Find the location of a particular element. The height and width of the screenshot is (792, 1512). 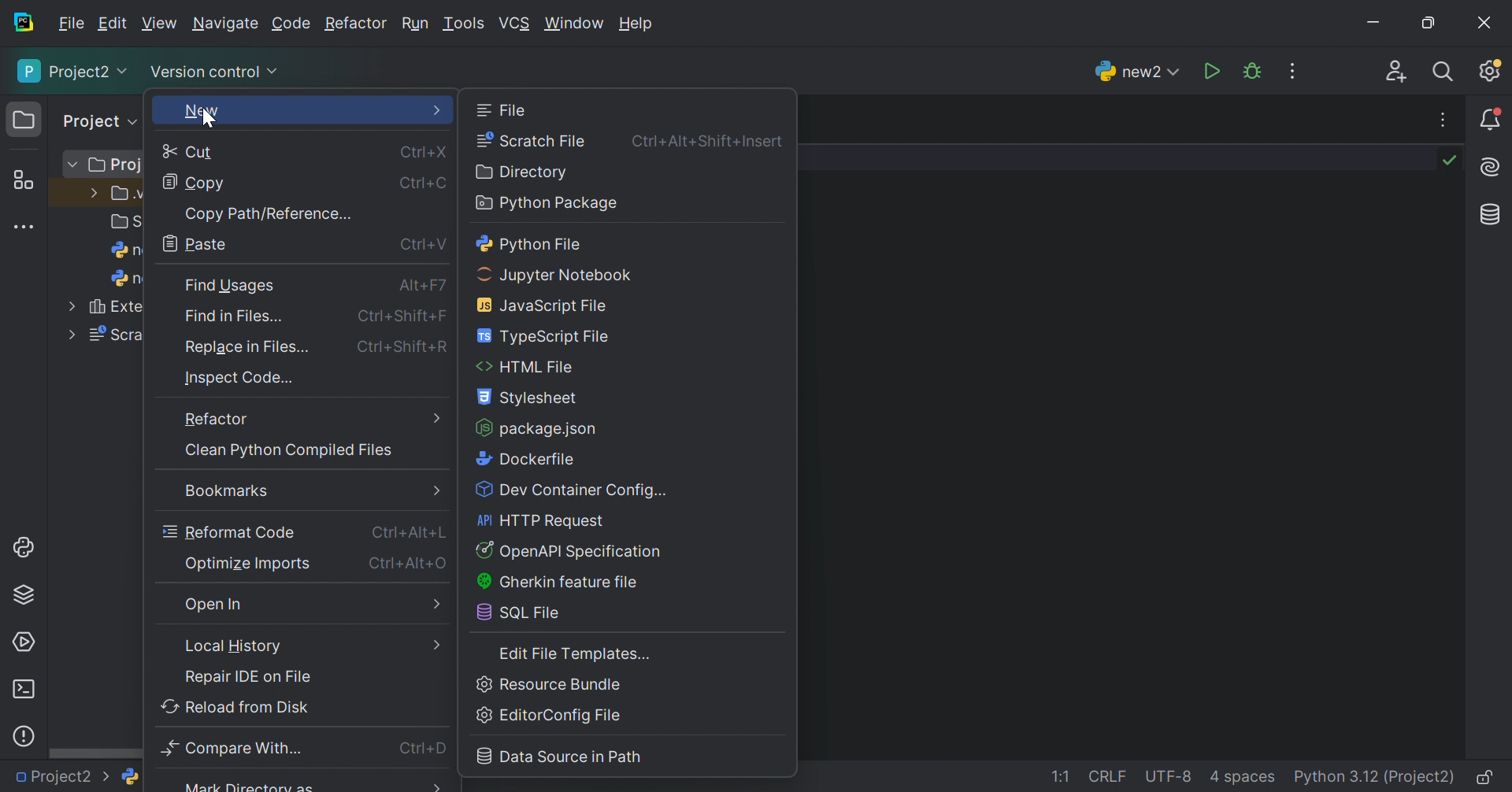

cursor is located at coordinates (206, 121).